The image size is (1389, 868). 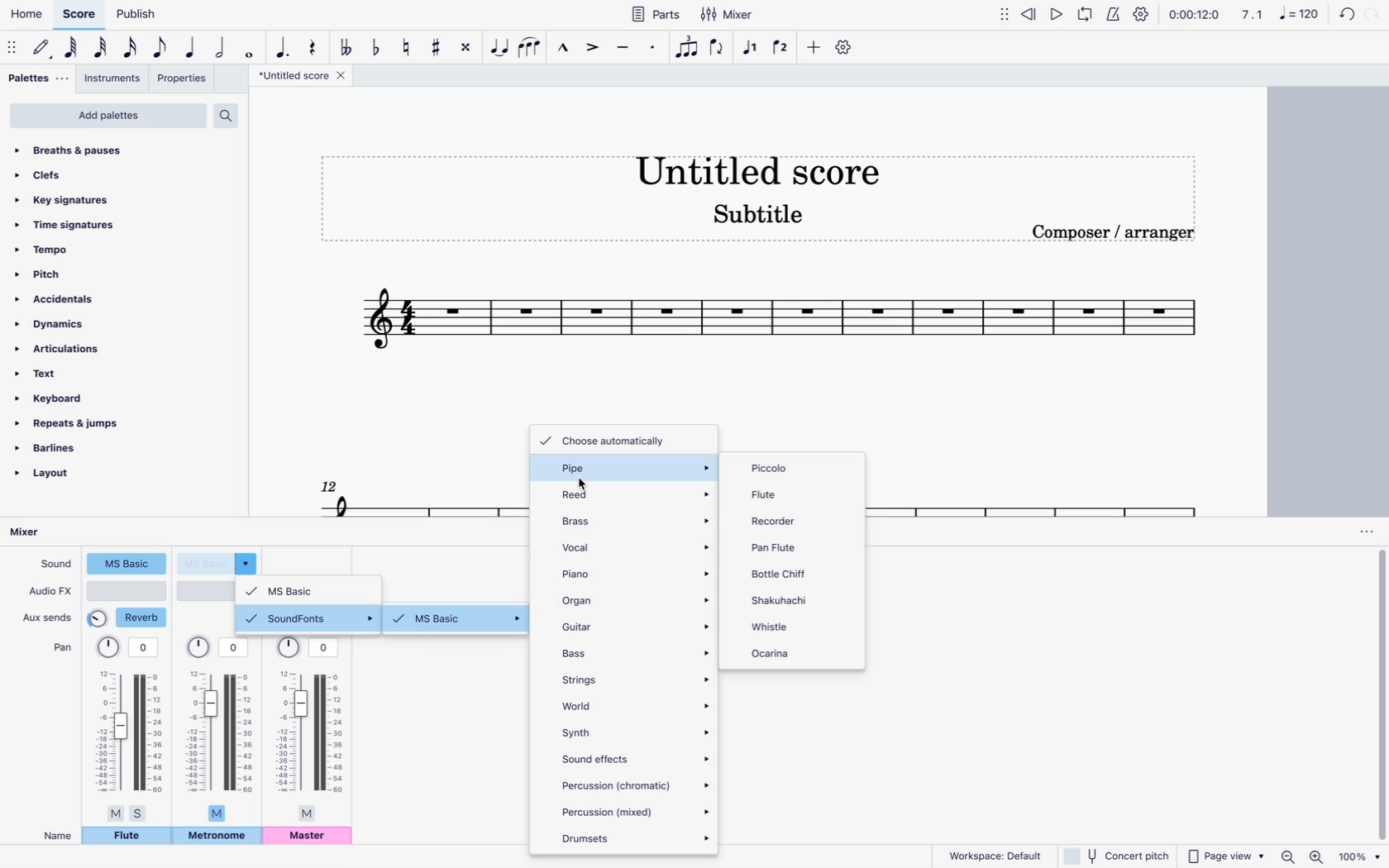 What do you see at coordinates (1376, 13) in the screenshot?
I see `forward` at bounding box center [1376, 13].